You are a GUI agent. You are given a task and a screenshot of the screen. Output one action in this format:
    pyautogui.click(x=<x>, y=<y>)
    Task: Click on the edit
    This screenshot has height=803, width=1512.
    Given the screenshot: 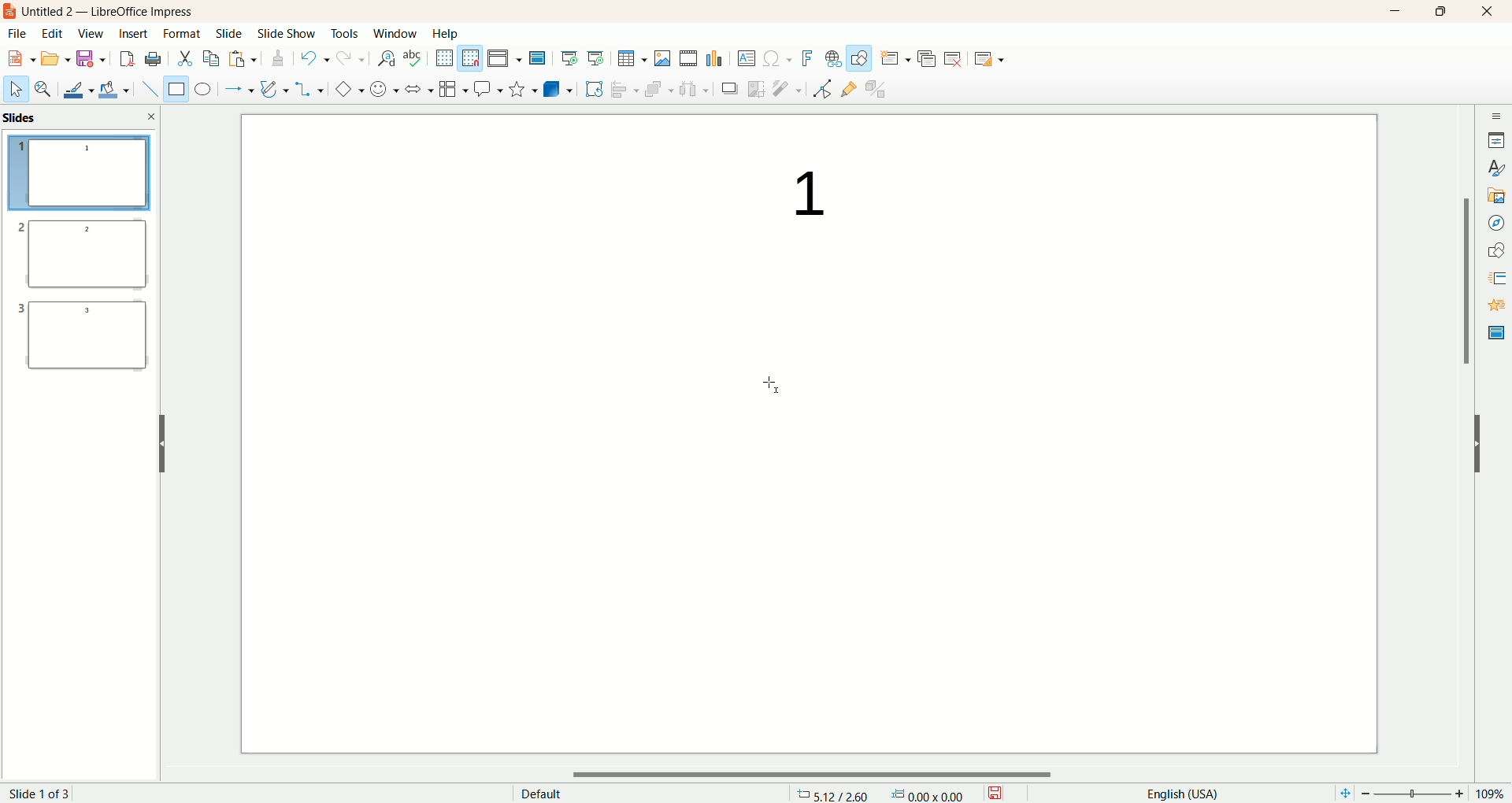 What is the action you would take?
    pyautogui.click(x=54, y=34)
    